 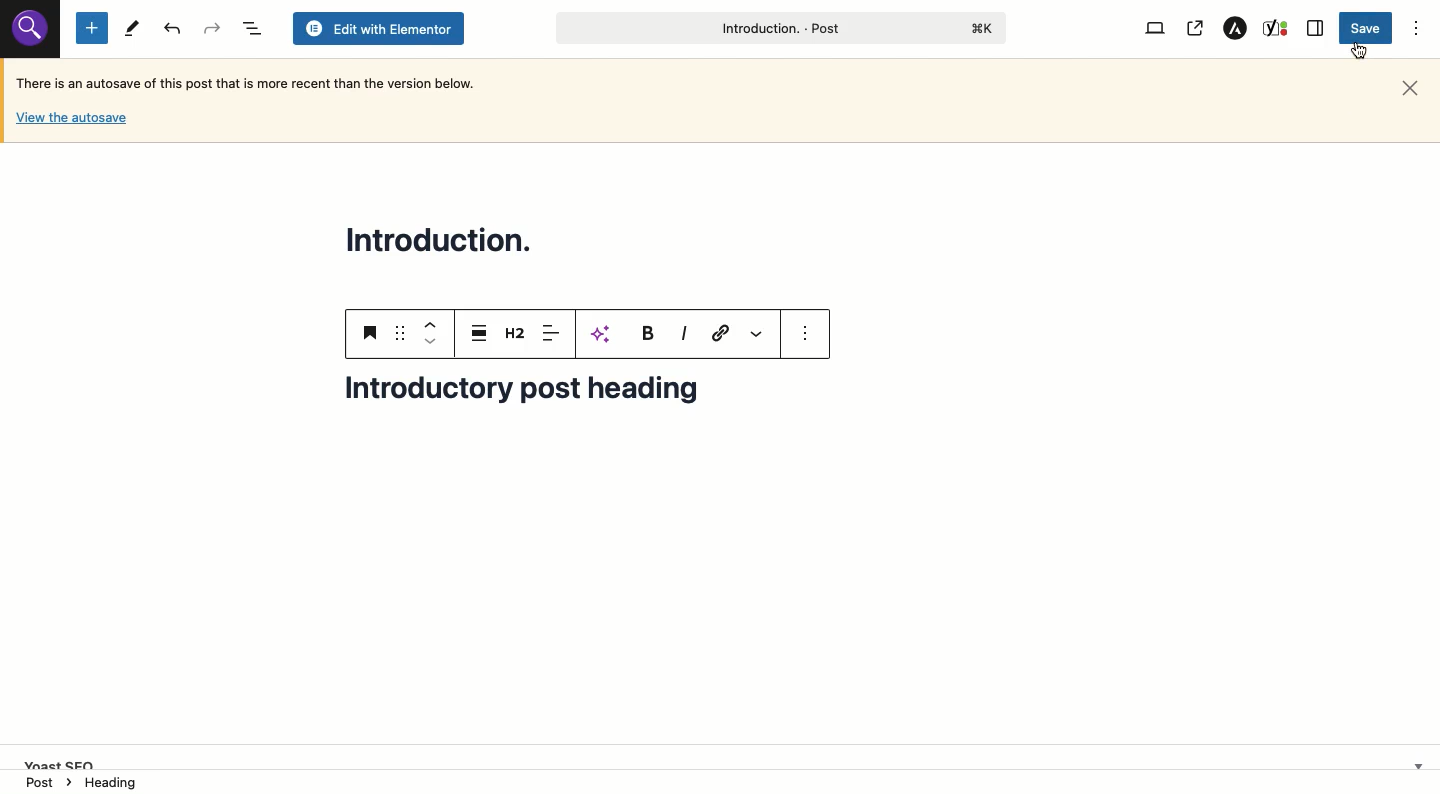 I want to click on Move up down, so click(x=428, y=332).